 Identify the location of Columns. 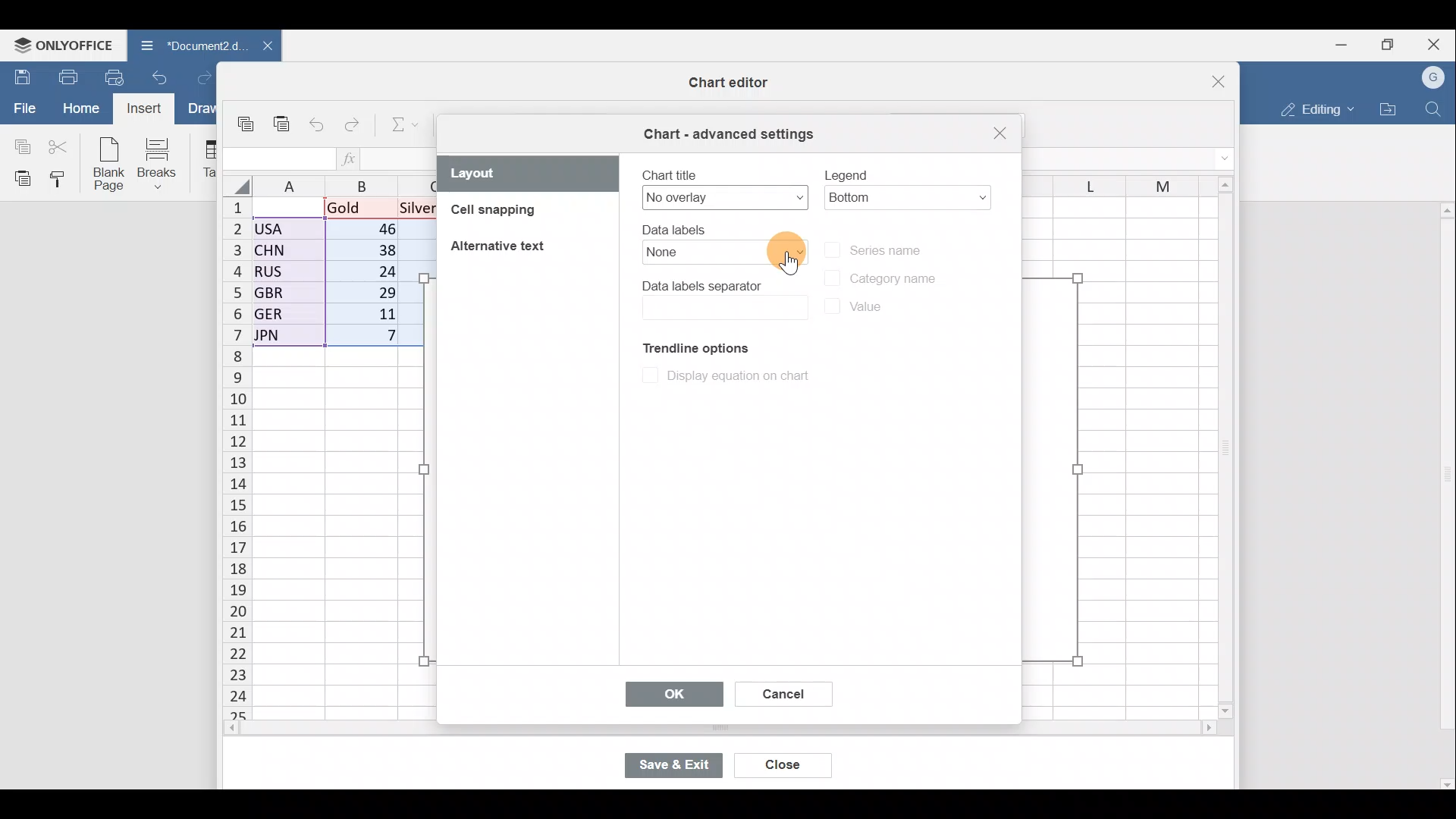
(1109, 182).